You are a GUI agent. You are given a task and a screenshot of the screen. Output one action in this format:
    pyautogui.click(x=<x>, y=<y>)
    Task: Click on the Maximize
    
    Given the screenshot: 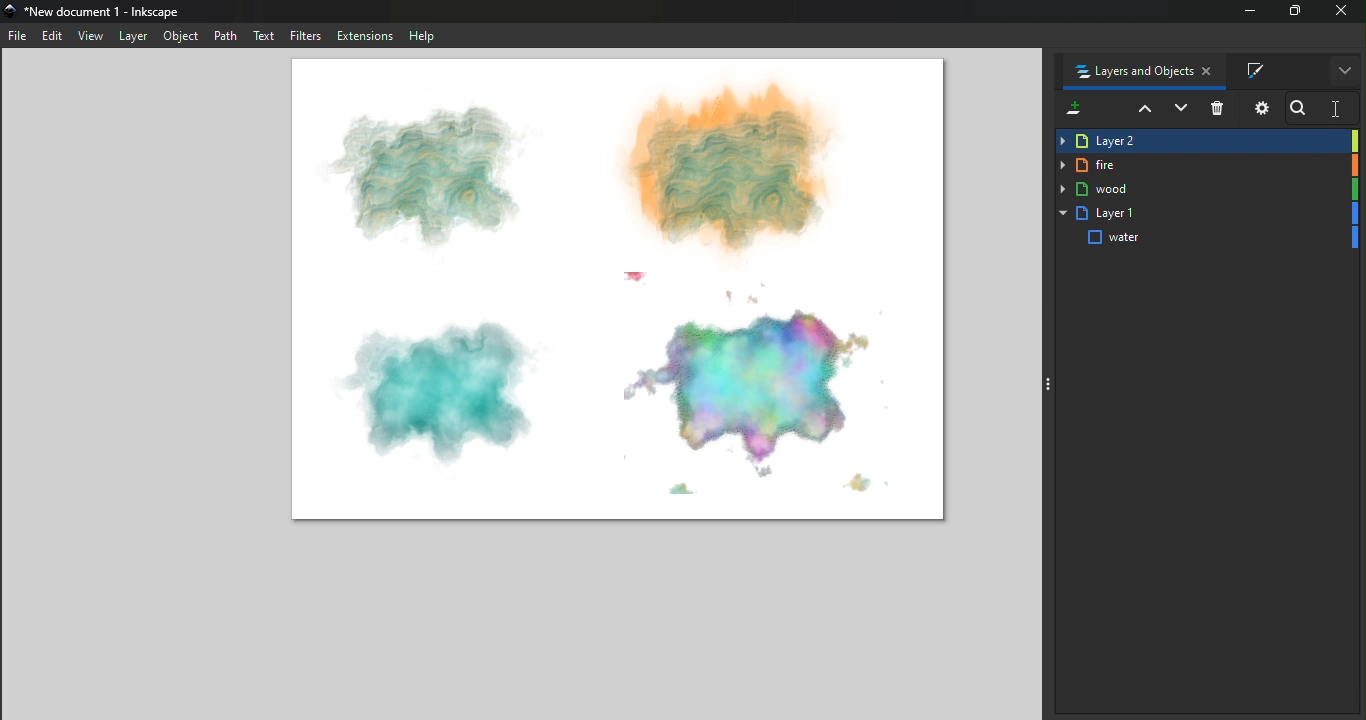 What is the action you would take?
    pyautogui.click(x=1294, y=10)
    